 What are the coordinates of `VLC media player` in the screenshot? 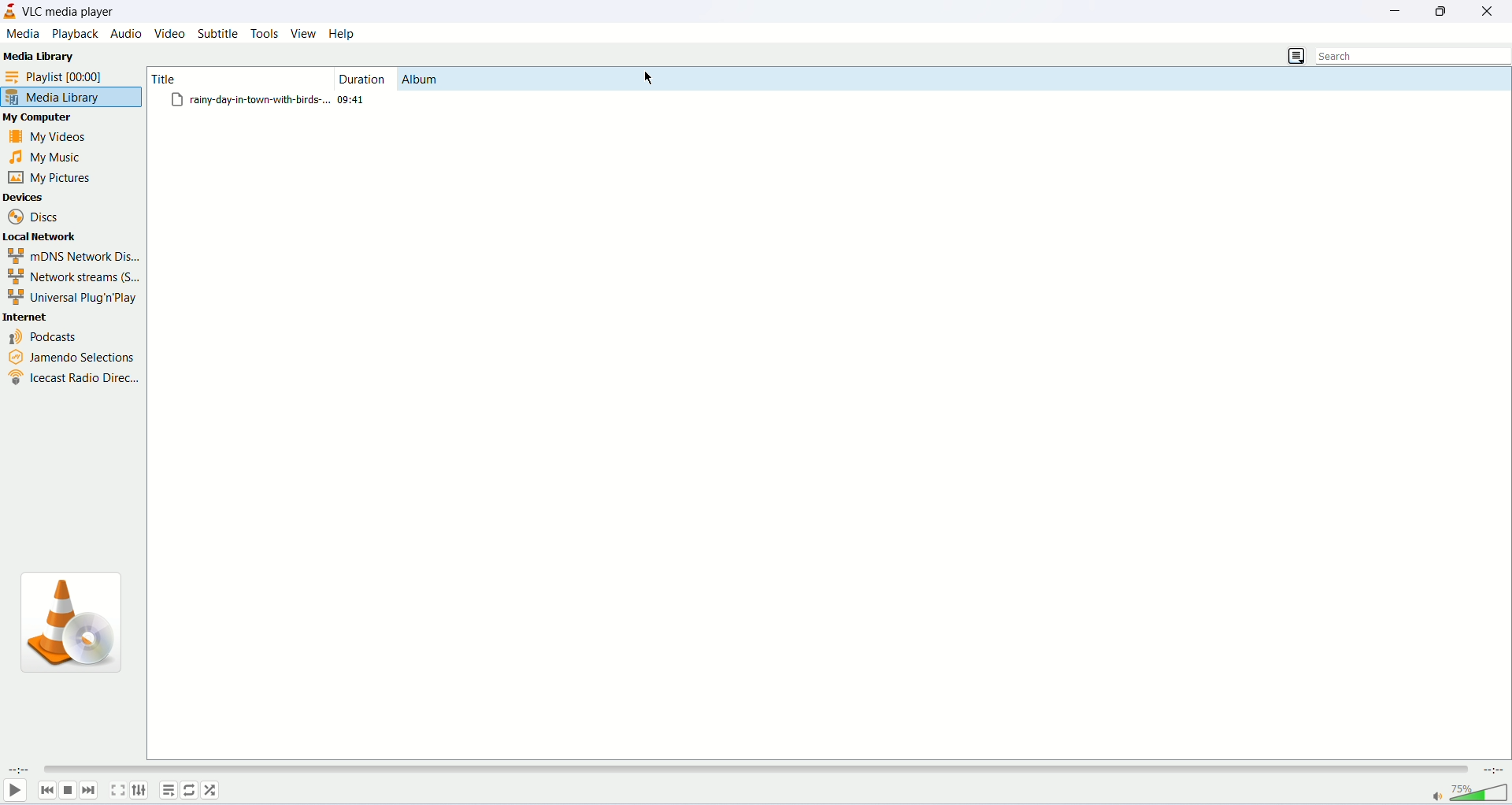 It's located at (73, 11).